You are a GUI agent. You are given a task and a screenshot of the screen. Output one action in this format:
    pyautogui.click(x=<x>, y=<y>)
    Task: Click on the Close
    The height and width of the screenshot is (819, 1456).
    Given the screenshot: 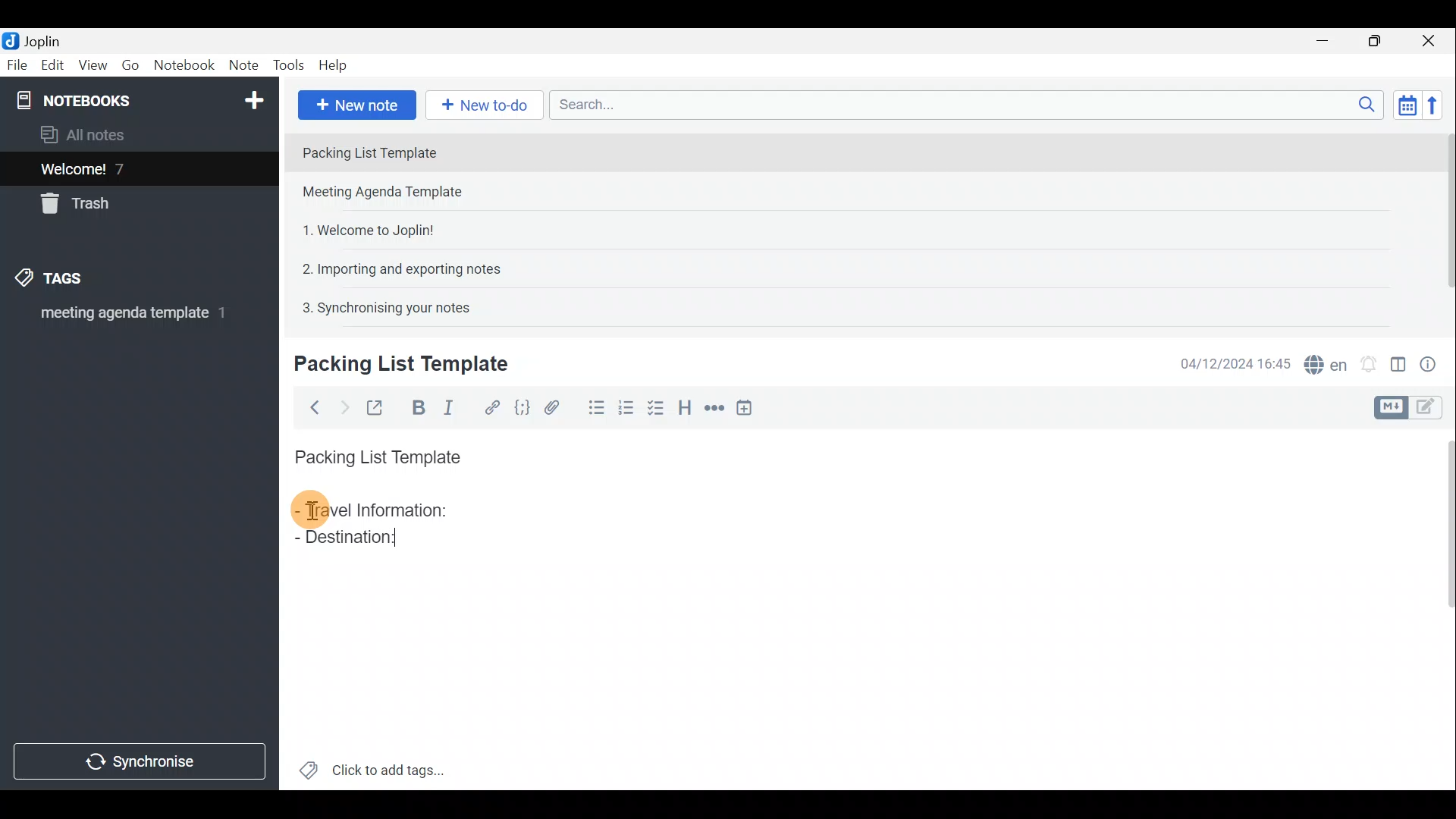 What is the action you would take?
    pyautogui.click(x=1433, y=40)
    